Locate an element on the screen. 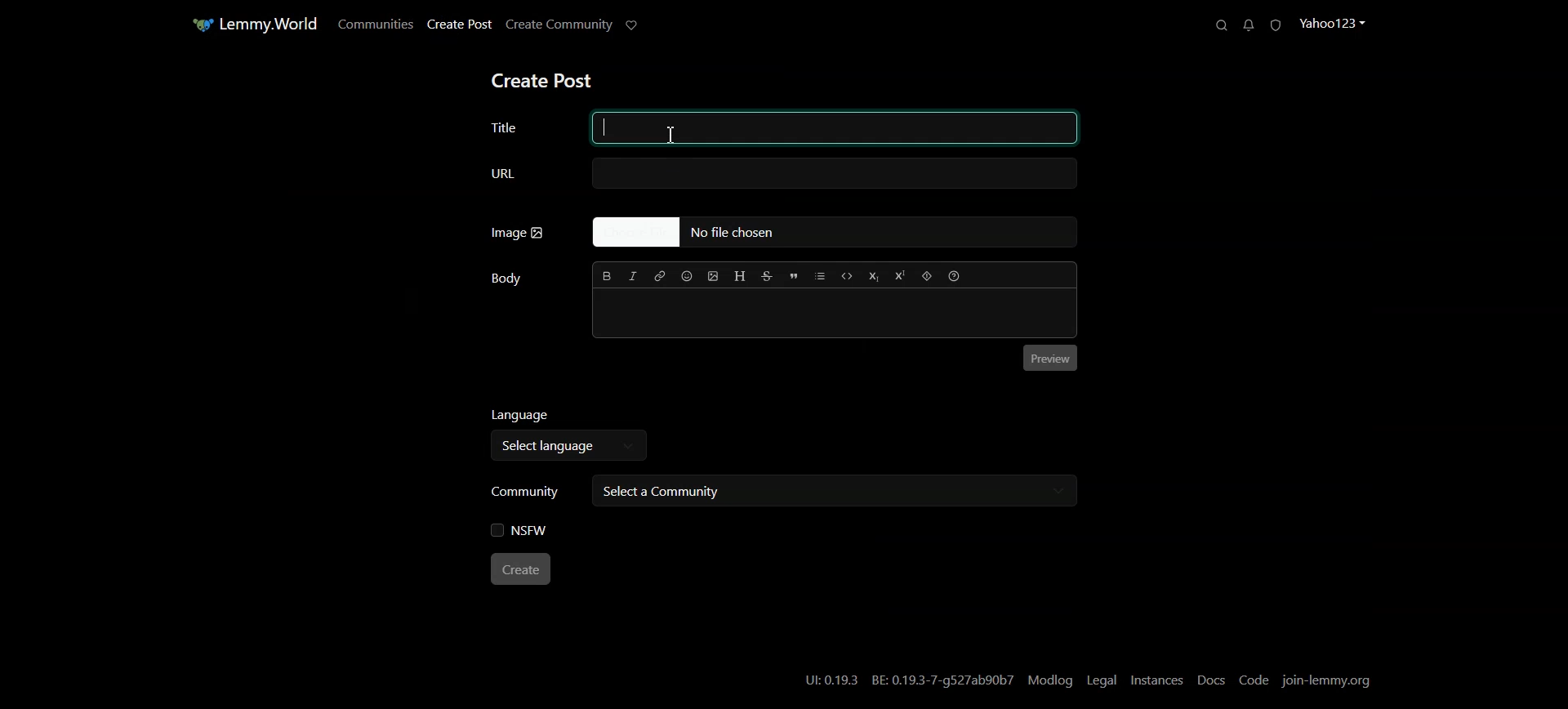 Image resolution: width=1568 pixels, height=709 pixels. Create Post is located at coordinates (458, 25).